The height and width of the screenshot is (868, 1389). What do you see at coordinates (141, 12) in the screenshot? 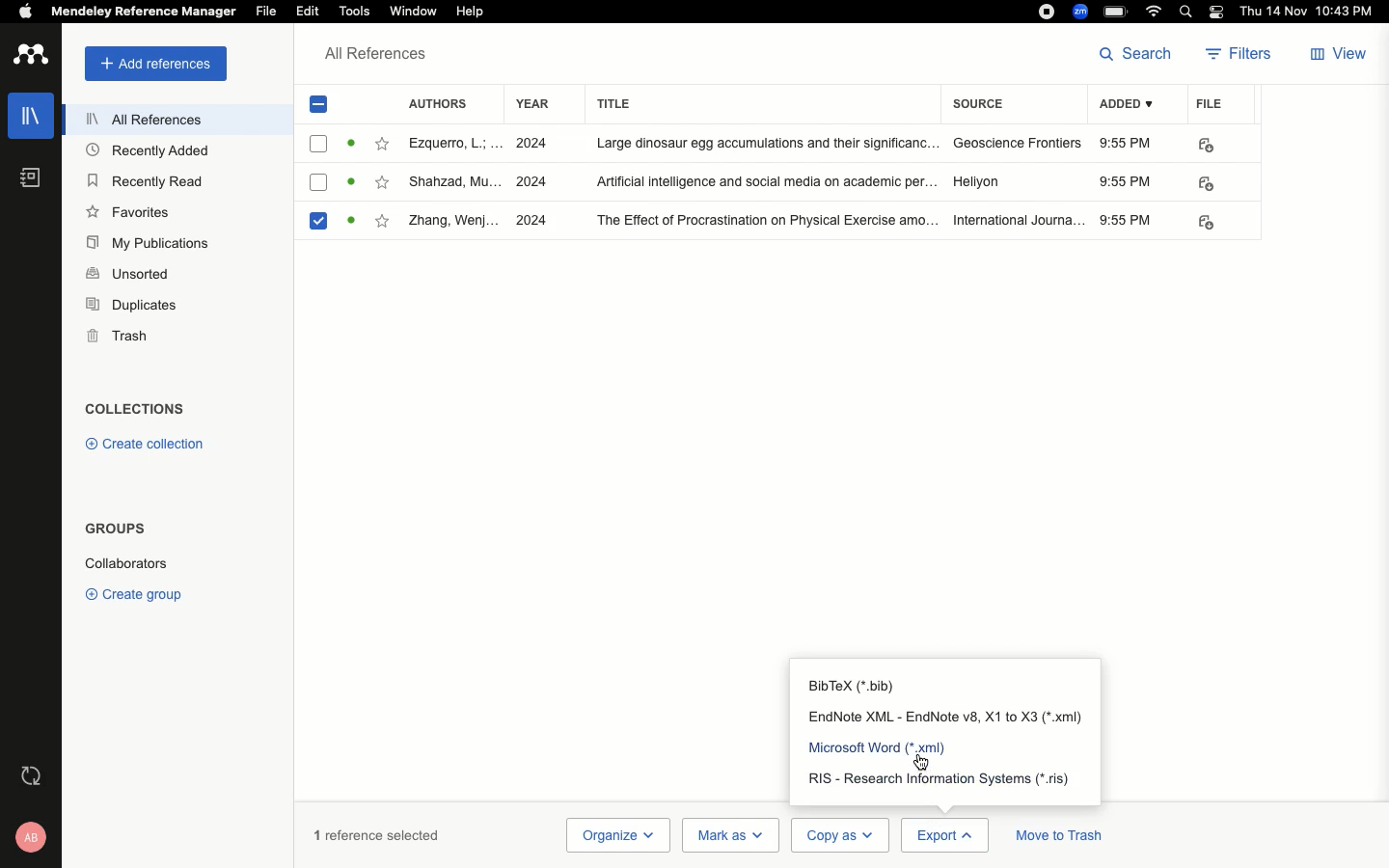
I see `Mendeley reference manager` at bounding box center [141, 12].